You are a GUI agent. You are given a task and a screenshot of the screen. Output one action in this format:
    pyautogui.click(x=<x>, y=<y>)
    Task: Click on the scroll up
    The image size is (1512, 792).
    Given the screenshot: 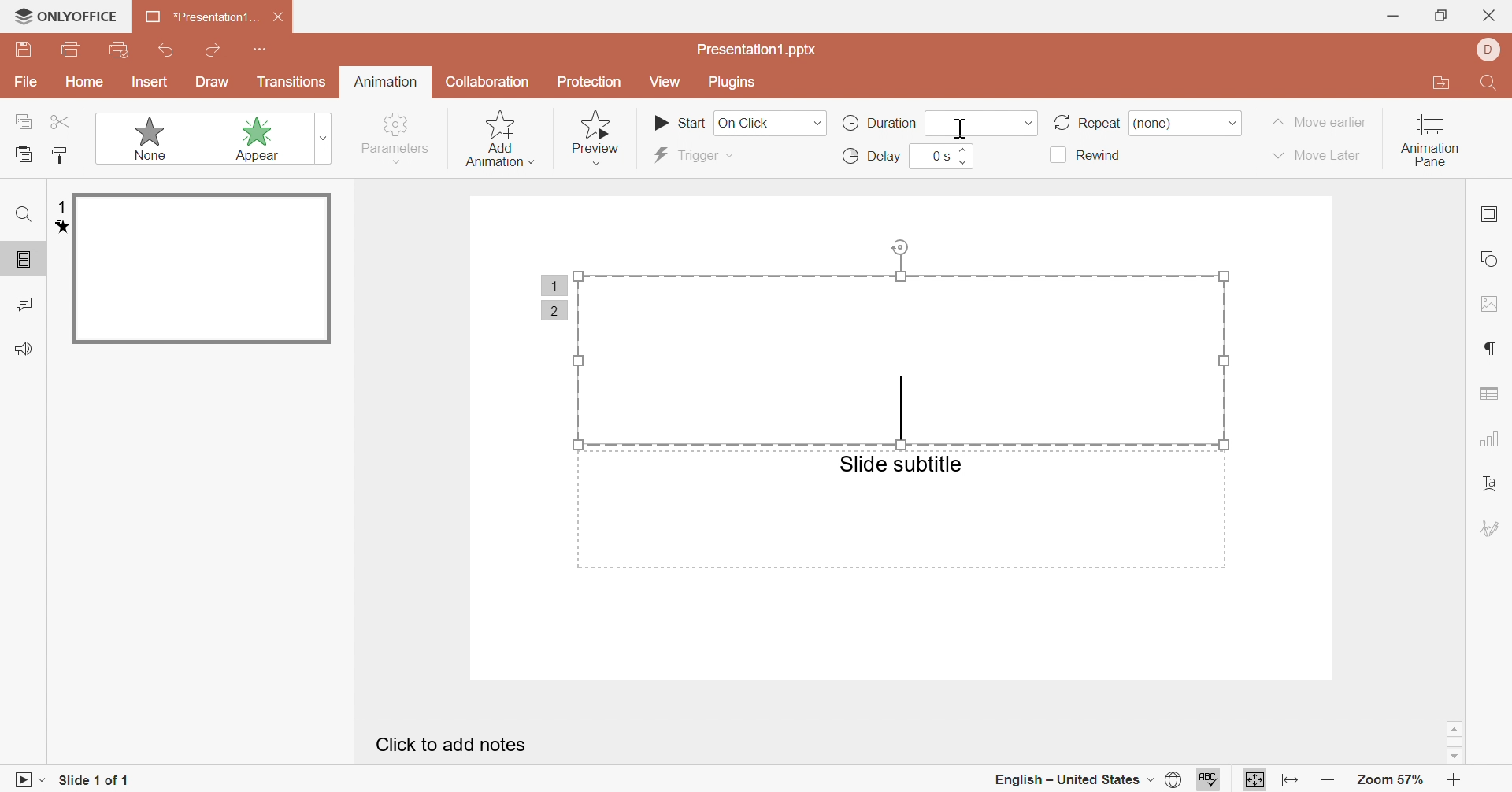 What is the action you would take?
    pyautogui.click(x=1455, y=729)
    